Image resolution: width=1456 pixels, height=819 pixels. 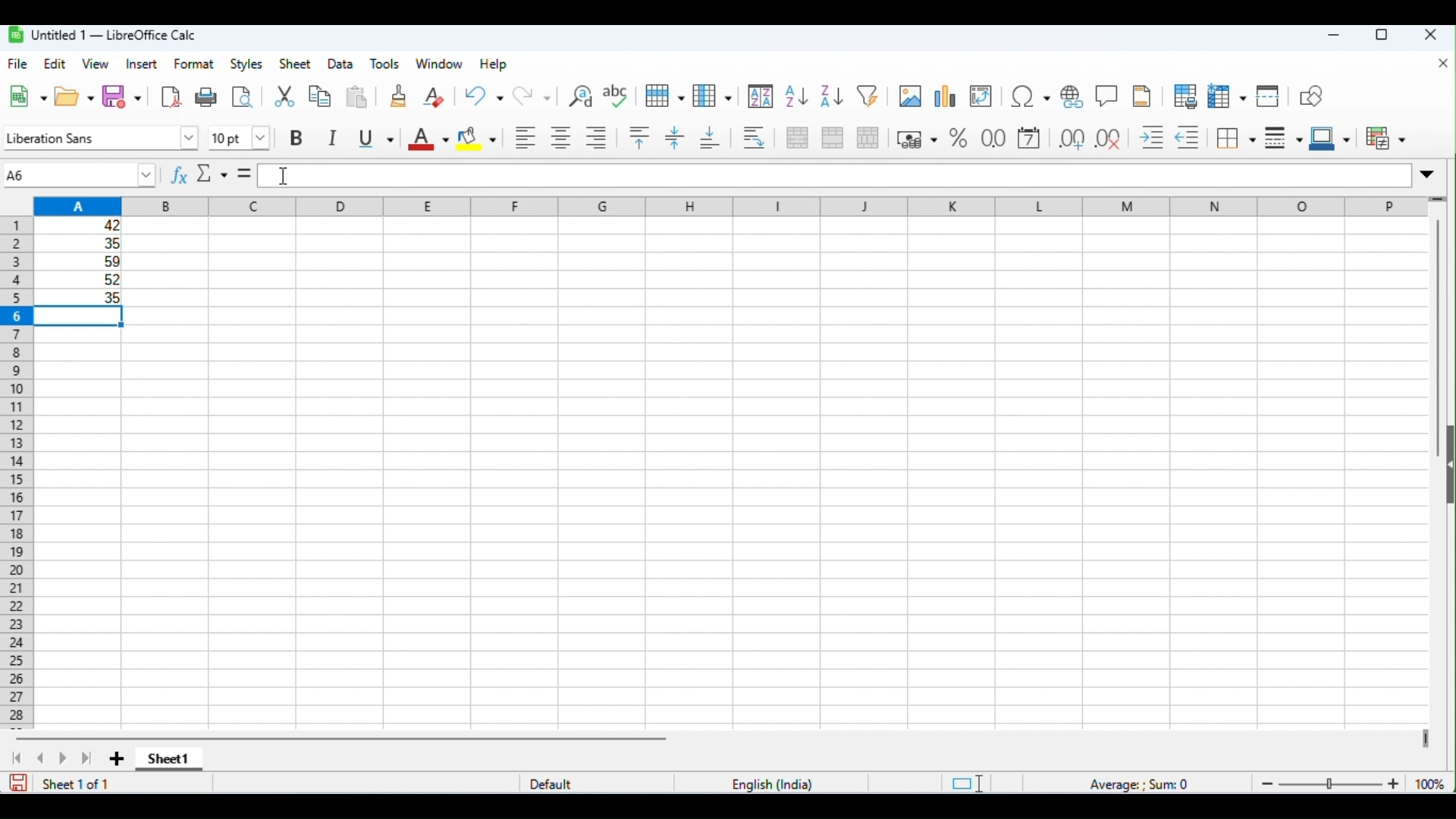 What do you see at coordinates (64, 758) in the screenshot?
I see `next sheet` at bounding box center [64, 758].